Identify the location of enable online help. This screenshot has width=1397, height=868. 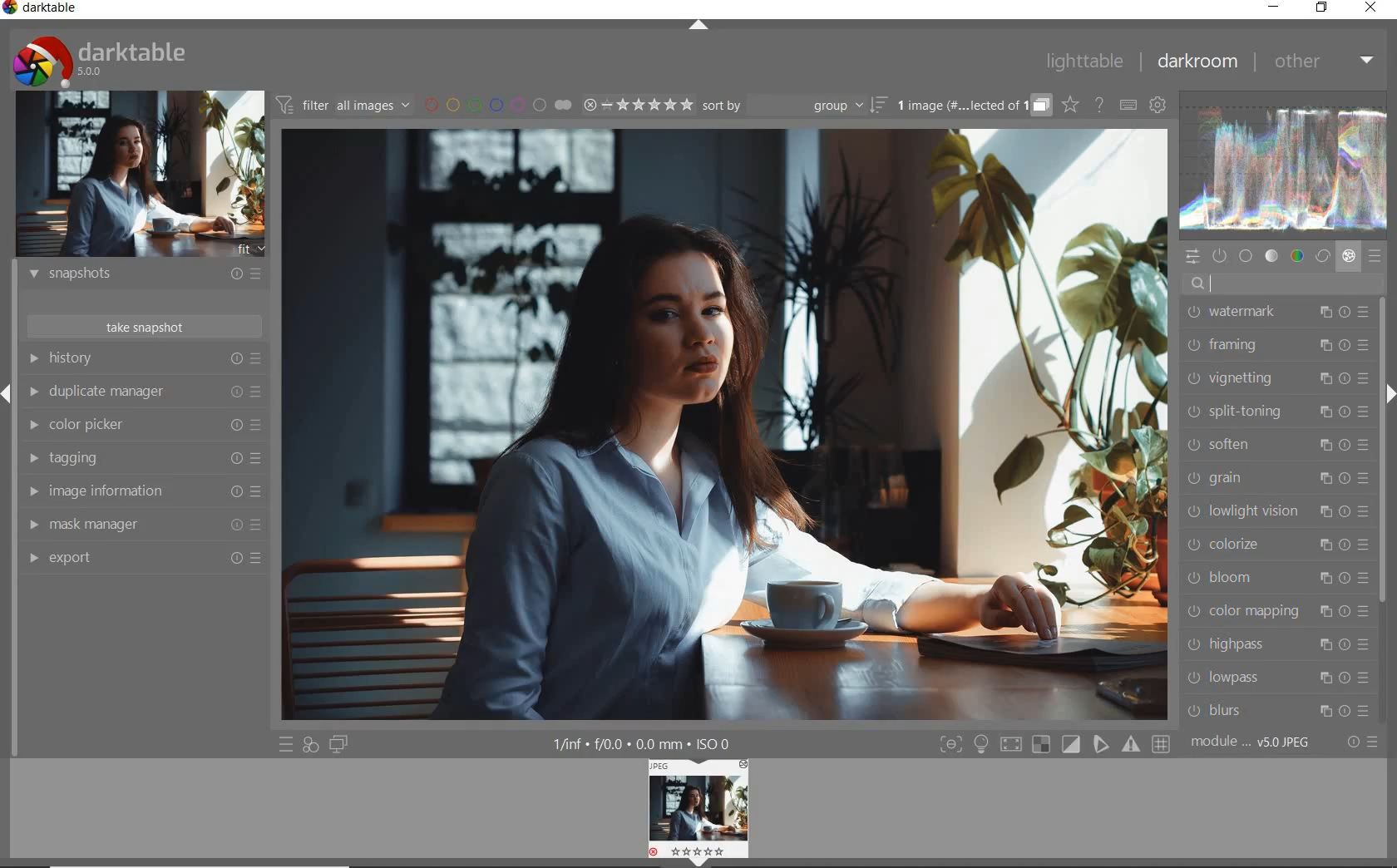
(1099, 106).